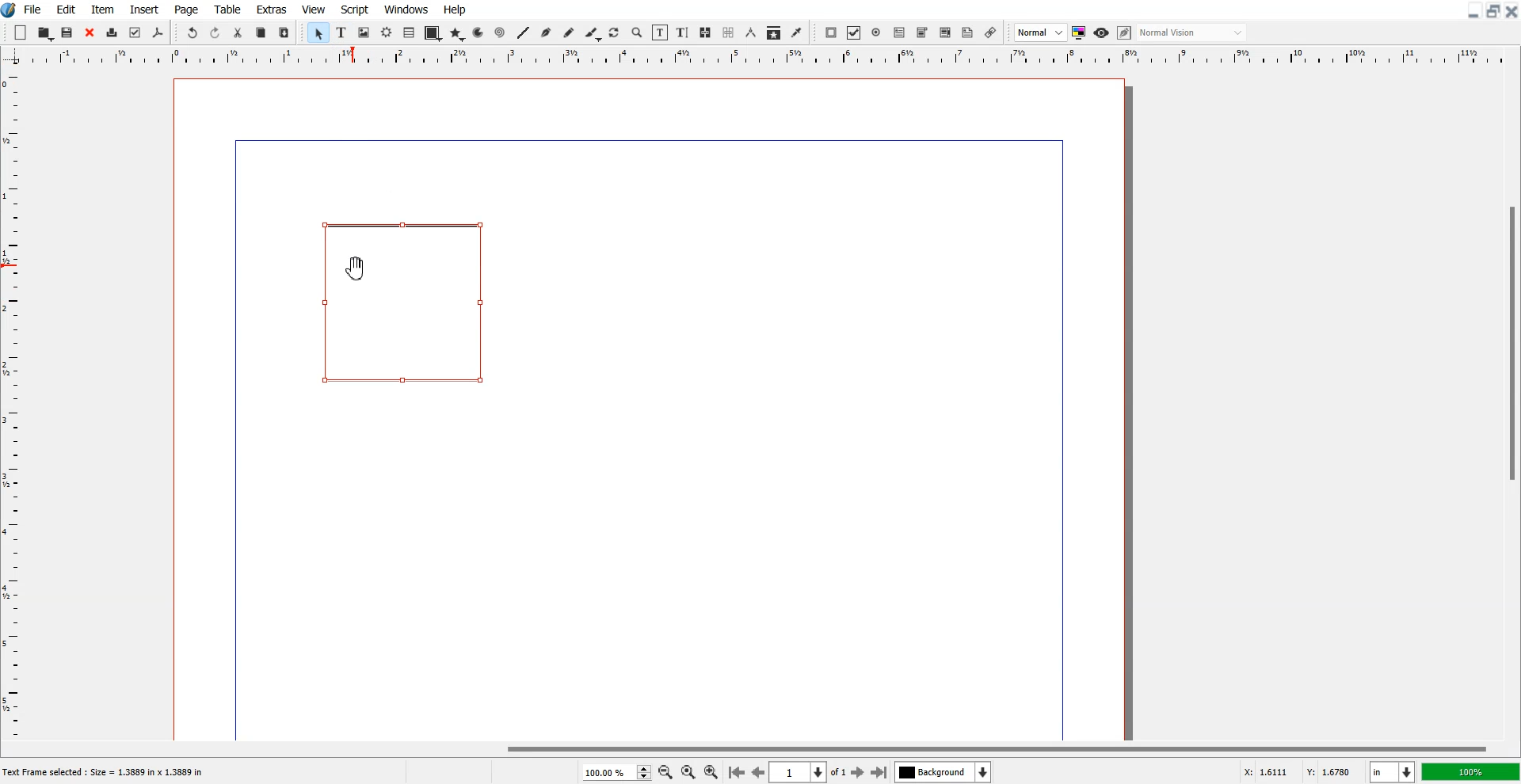  I want to click on Copy , so click(261, 33).